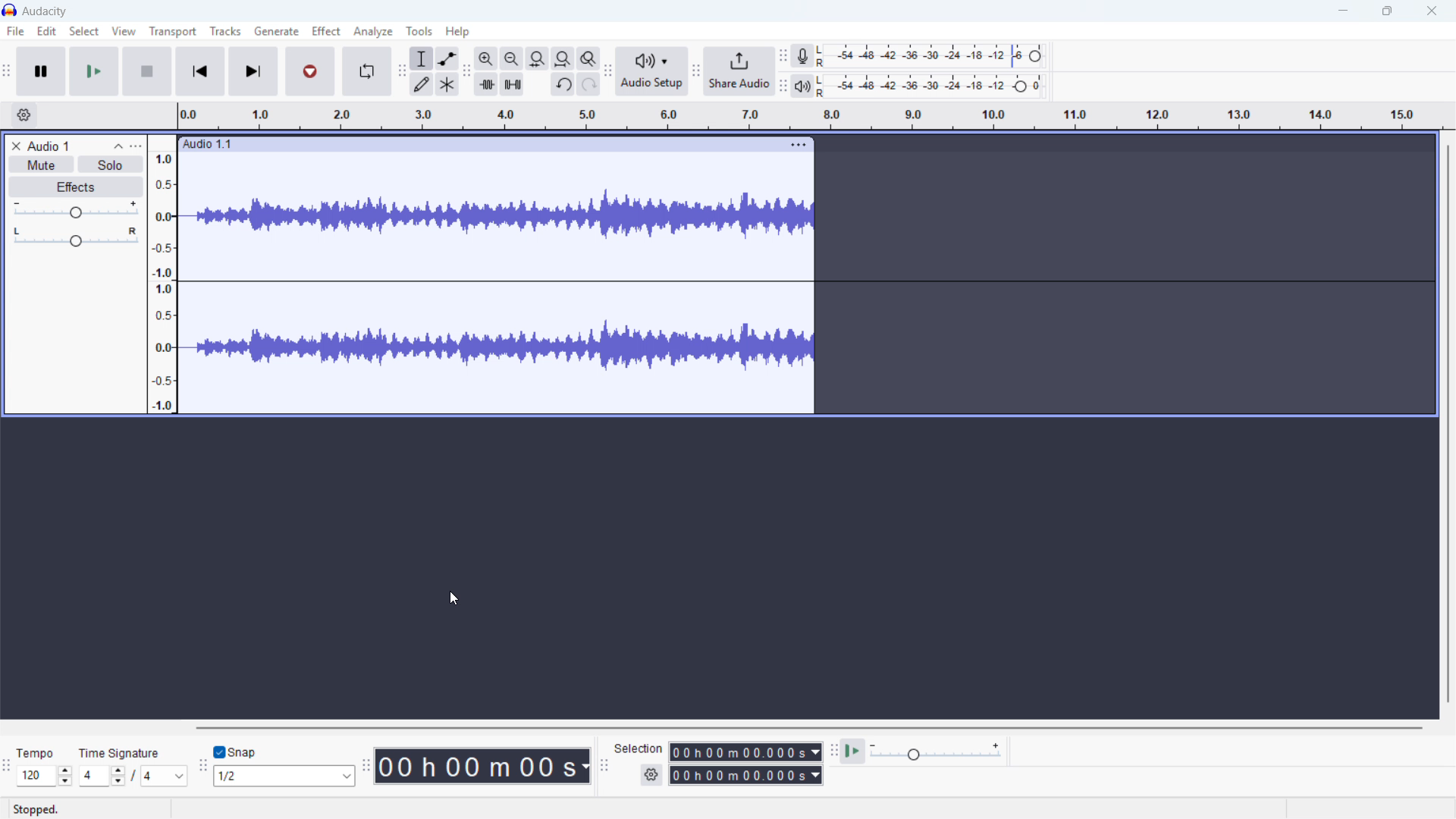  Describe the element at coordinates (167, 777) in the screenshot. I see `Set time signature ` at that location.